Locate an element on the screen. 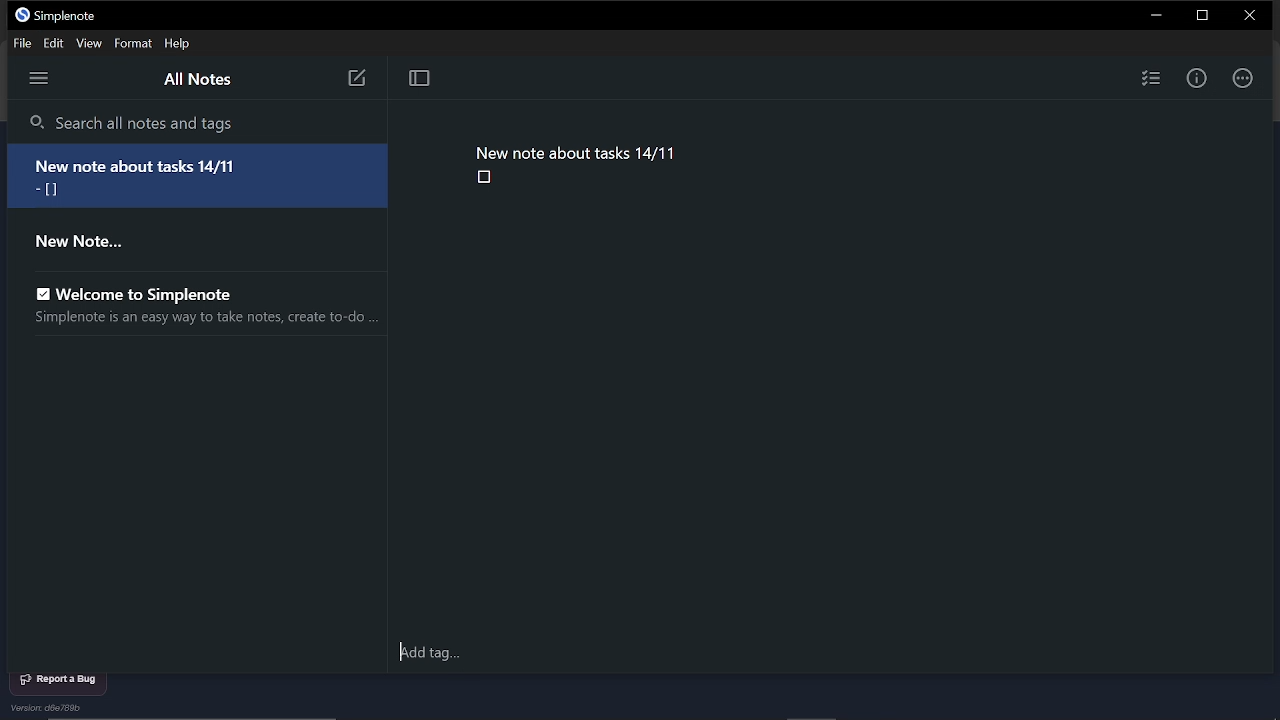   Simplenote is located at coordinates (72, 16).